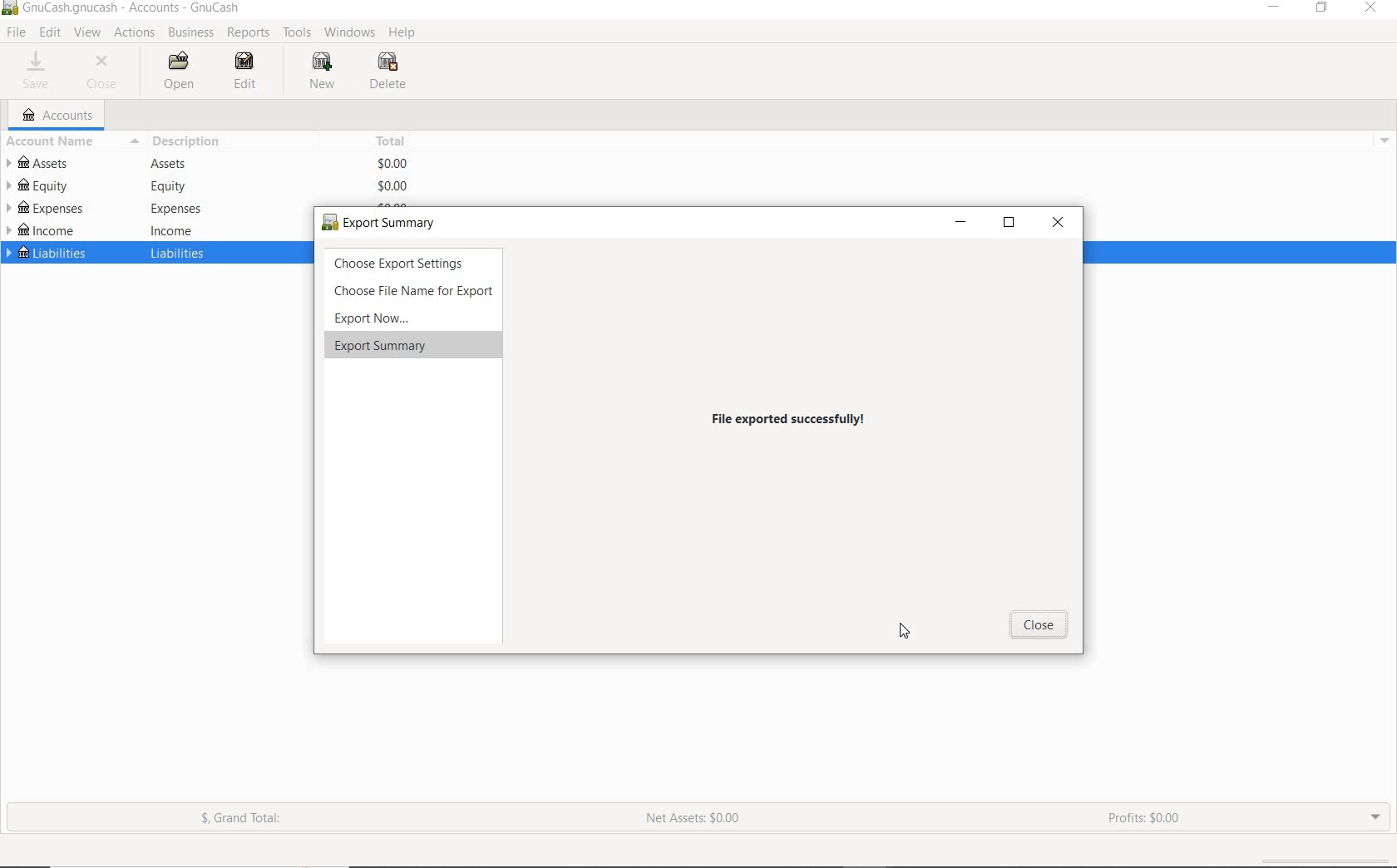  I want to click on INCOME, so click(44, 230).